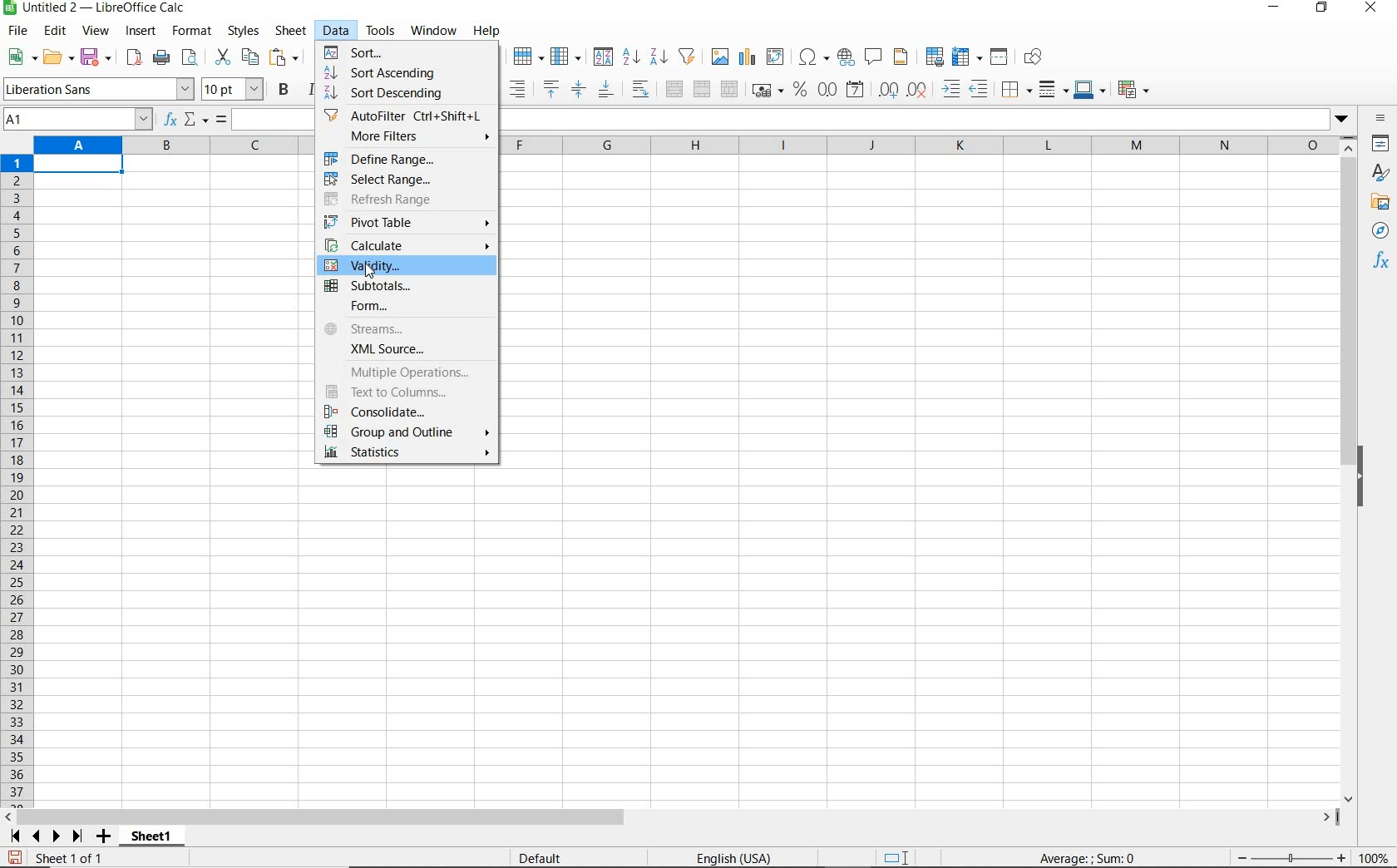 This screenshot has width=1397, height=868. I want to click on format as percent, so click(800, 90).